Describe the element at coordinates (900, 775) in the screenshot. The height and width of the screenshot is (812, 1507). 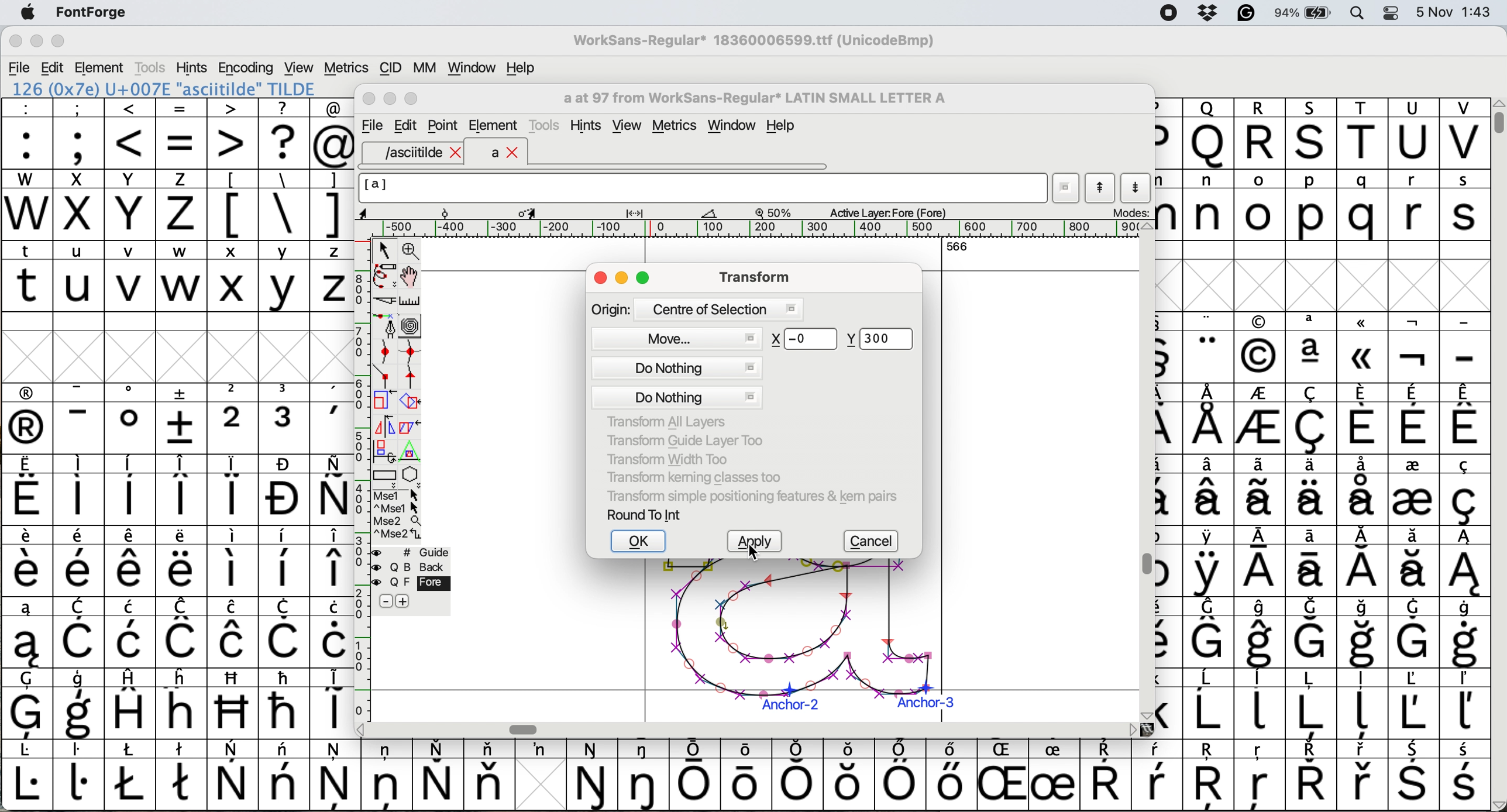
I see `symbol` at that location.